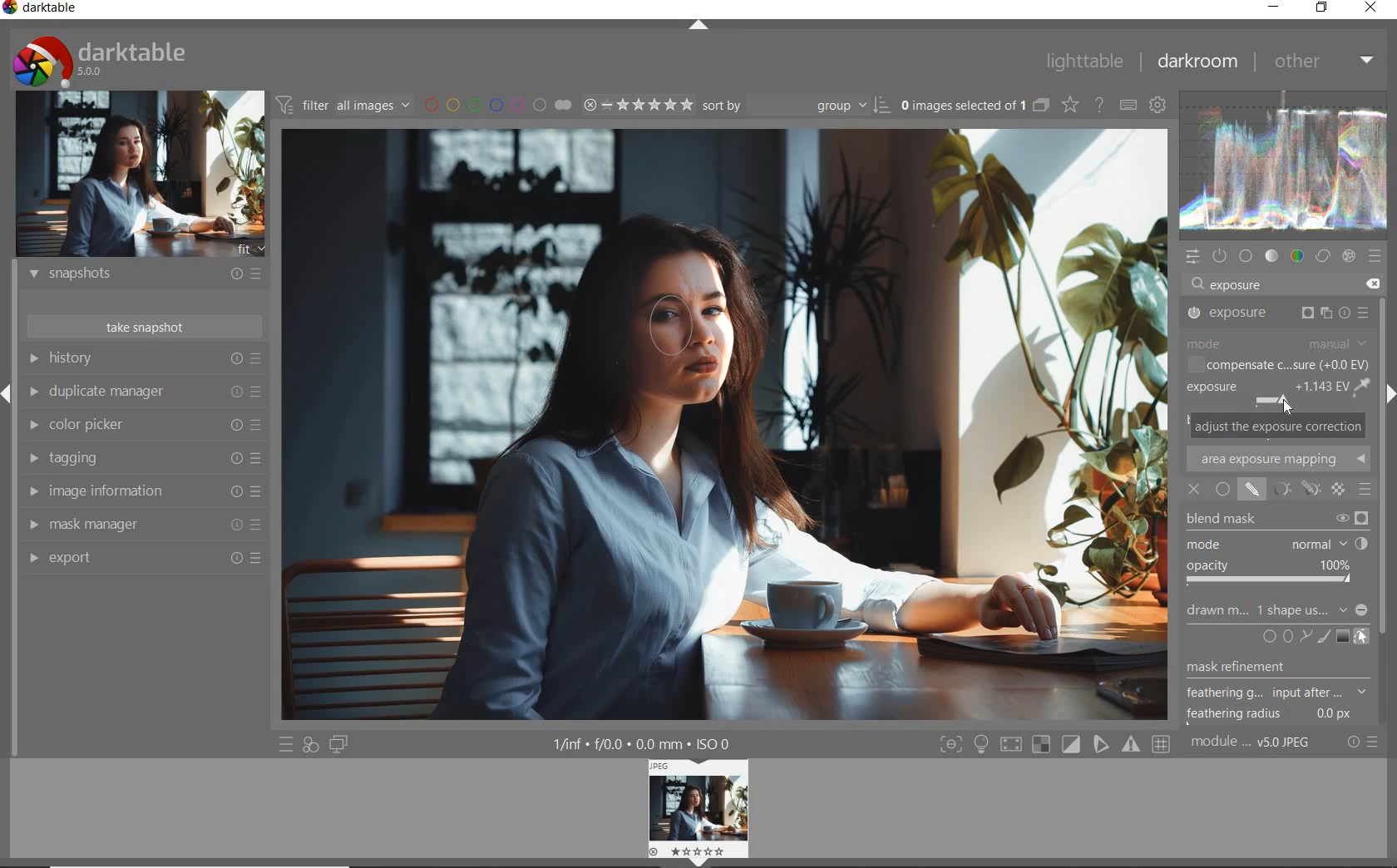  What do you see at coordinates (642, 743) in the screenshot?
I see `other display information` at bounding box center [642, 743].